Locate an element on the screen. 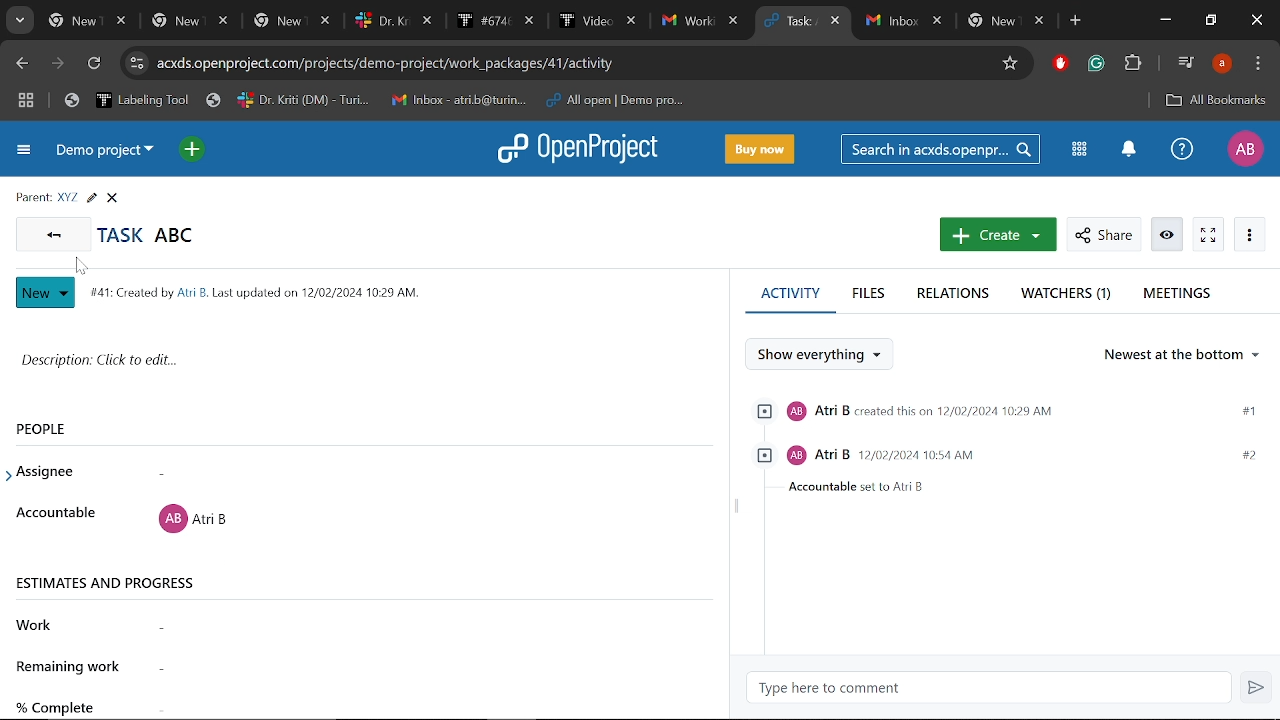 The image size is (1280, 720). Activate zen mode is located at coordinates (1209, 234).